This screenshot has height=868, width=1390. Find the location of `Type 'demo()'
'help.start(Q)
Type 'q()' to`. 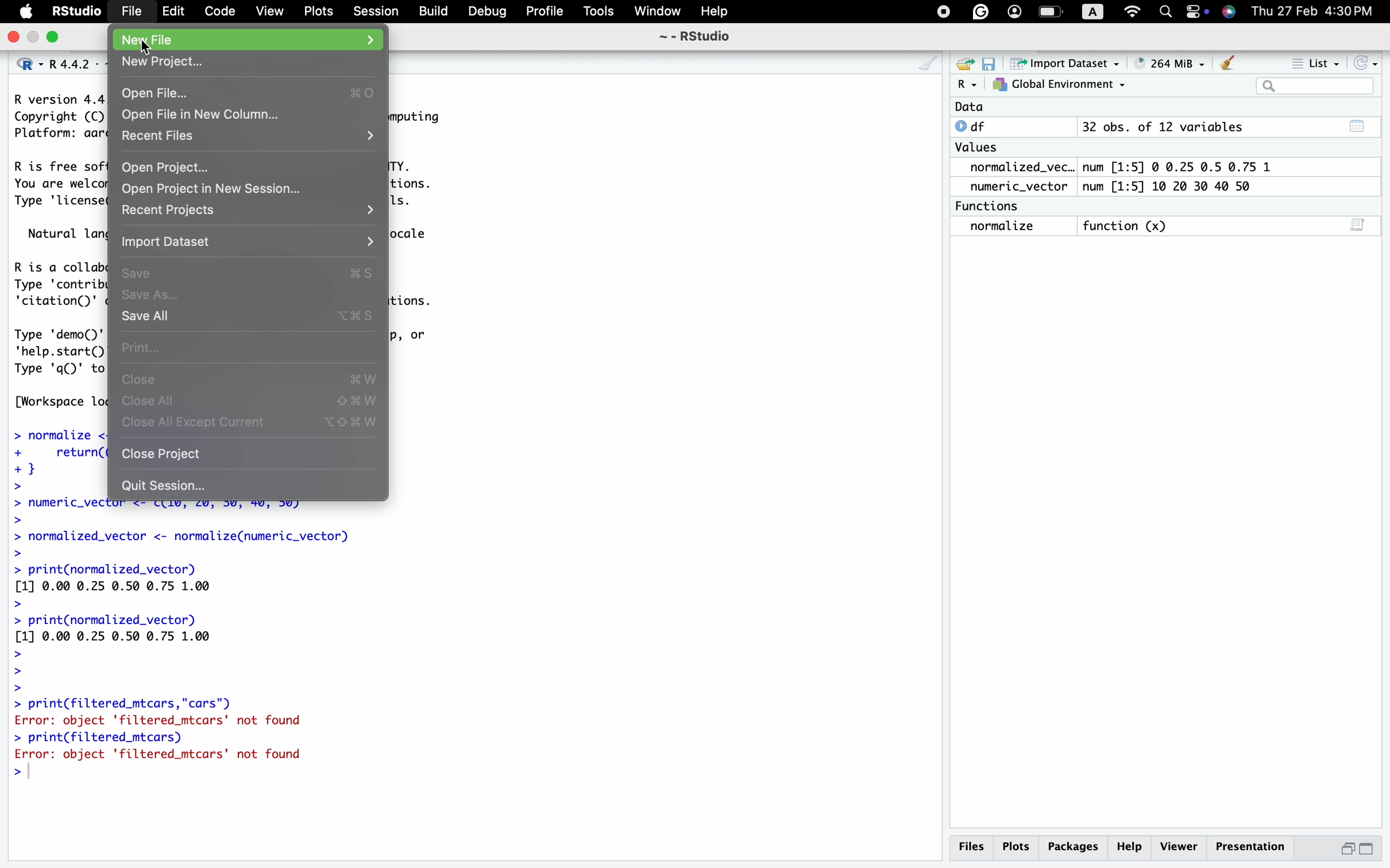

Type 'demo()'
'help.start(Q)
Type 'q()' to is located at coordinates (60, 352).